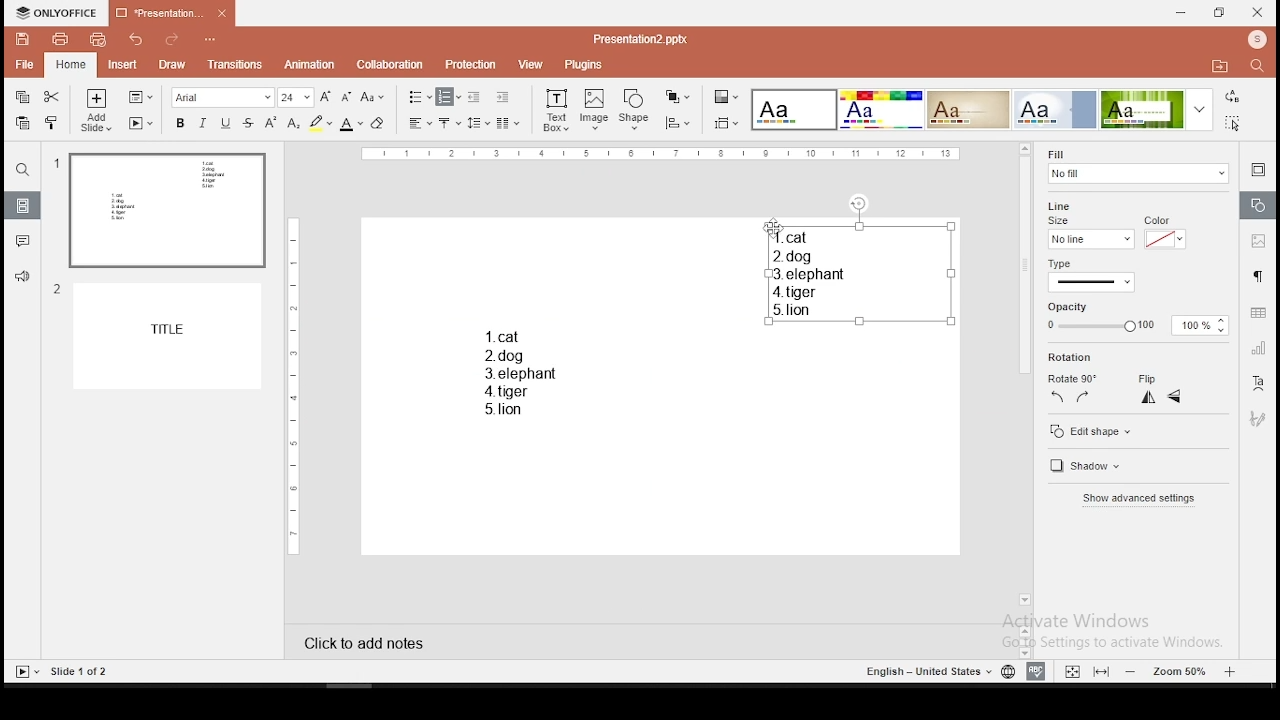 The image size is (1280, 720). Describe the element at coordinates (1055, 109) in the screenshot. I see `theme` at that location.